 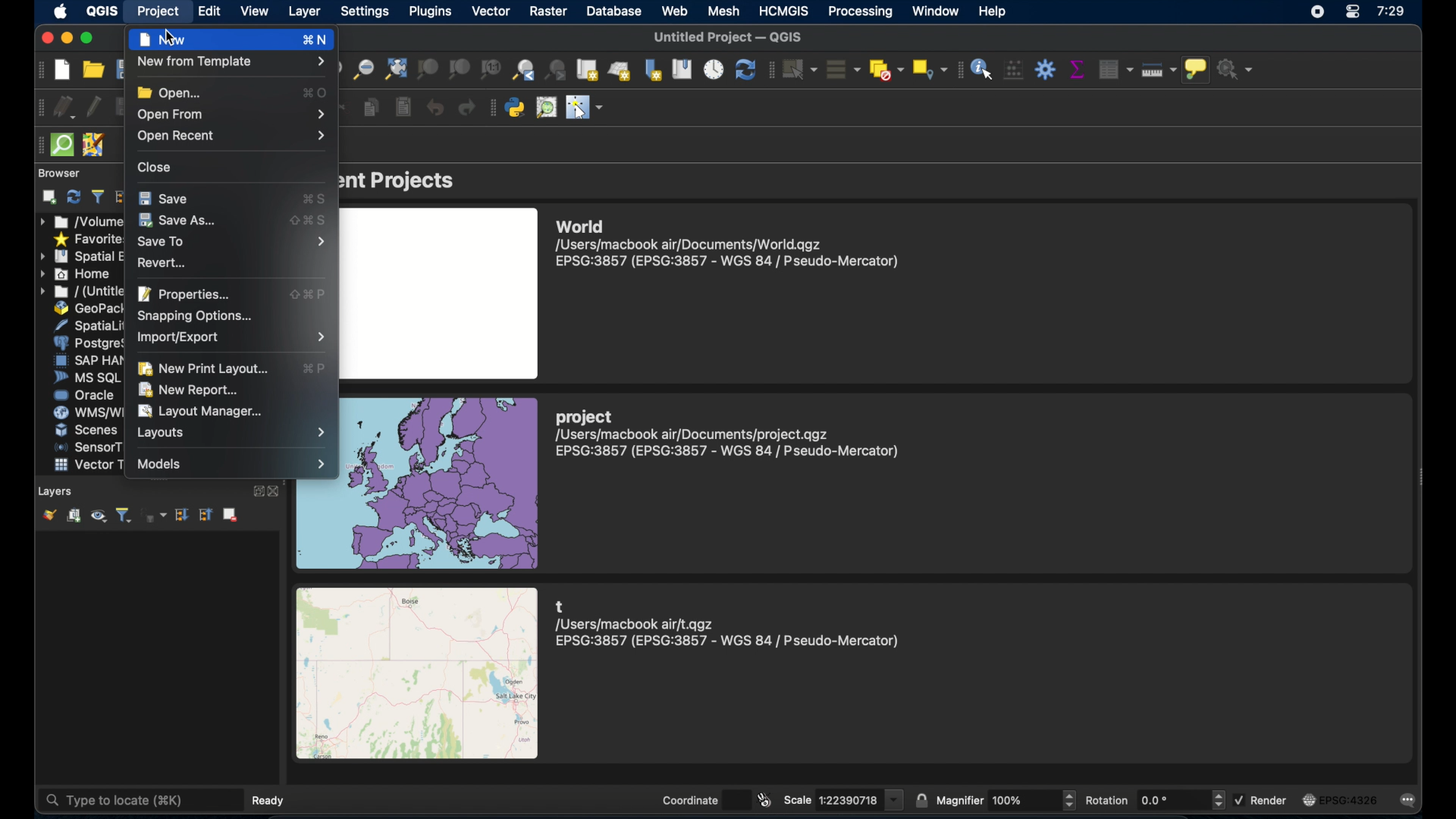 What do you see at coordinates (650, 70) in the screenshot?
I see `new spatial bookmark` at bounding box center [650, 70].